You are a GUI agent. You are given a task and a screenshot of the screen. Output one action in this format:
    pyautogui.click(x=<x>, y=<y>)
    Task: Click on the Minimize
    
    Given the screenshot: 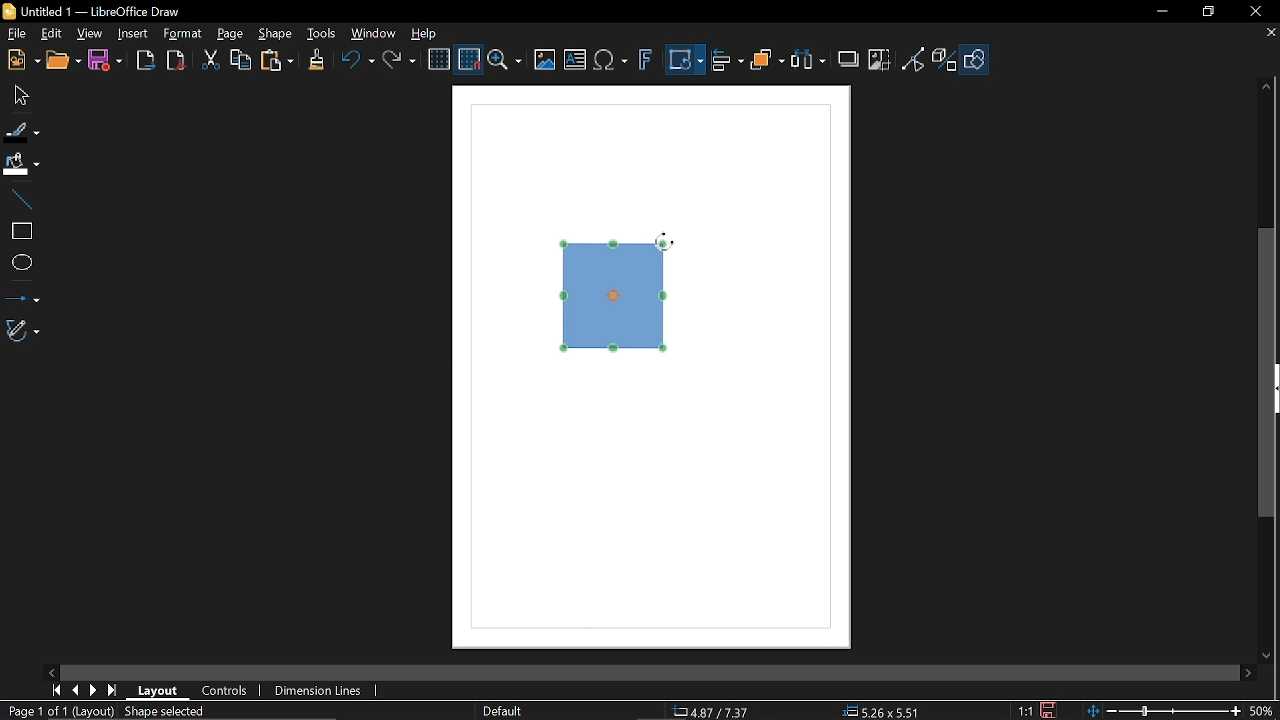 What is the action you would take?
    pyautogui.click(x=1160, y=11)
    